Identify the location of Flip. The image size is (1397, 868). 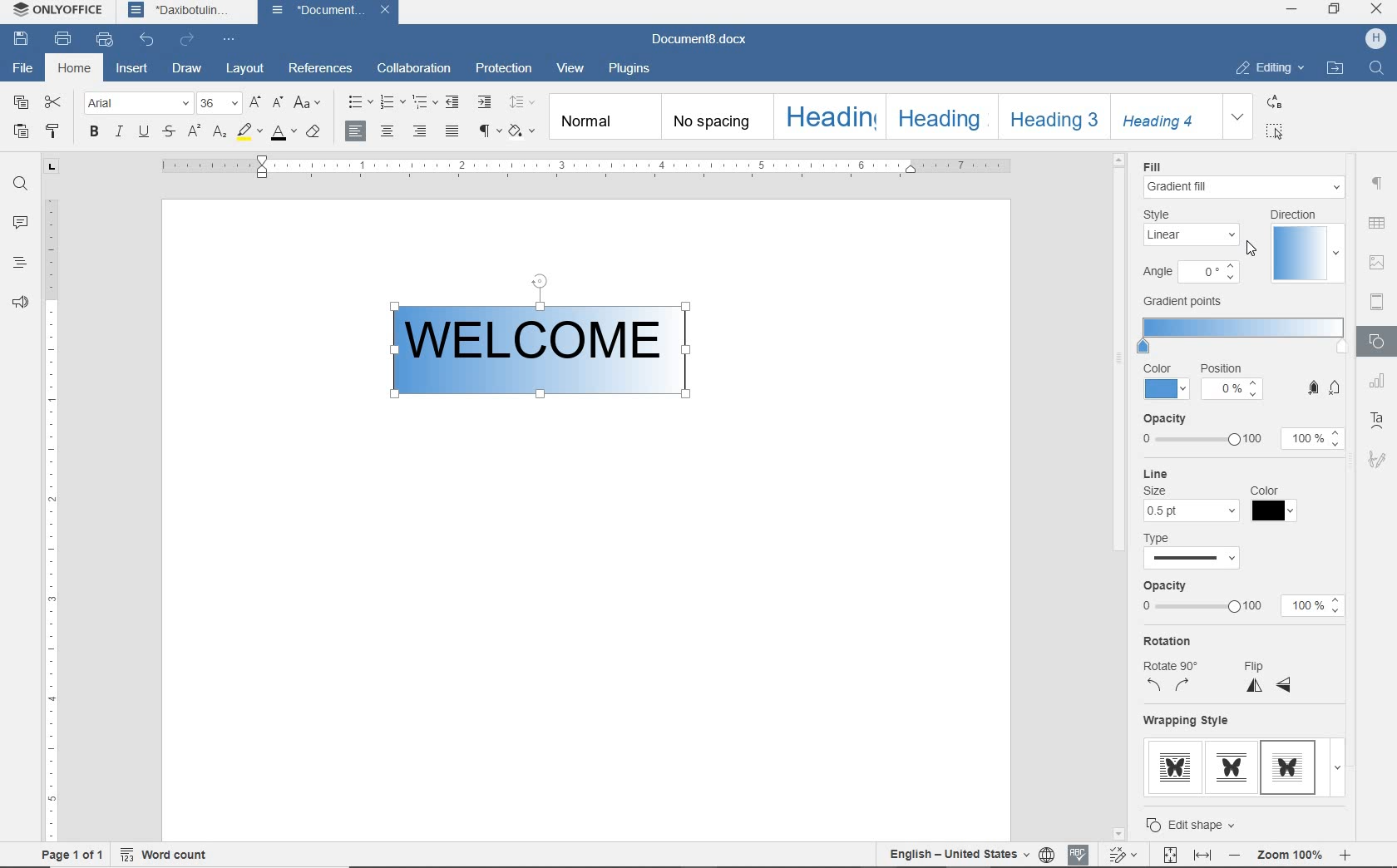
(1268, 664).